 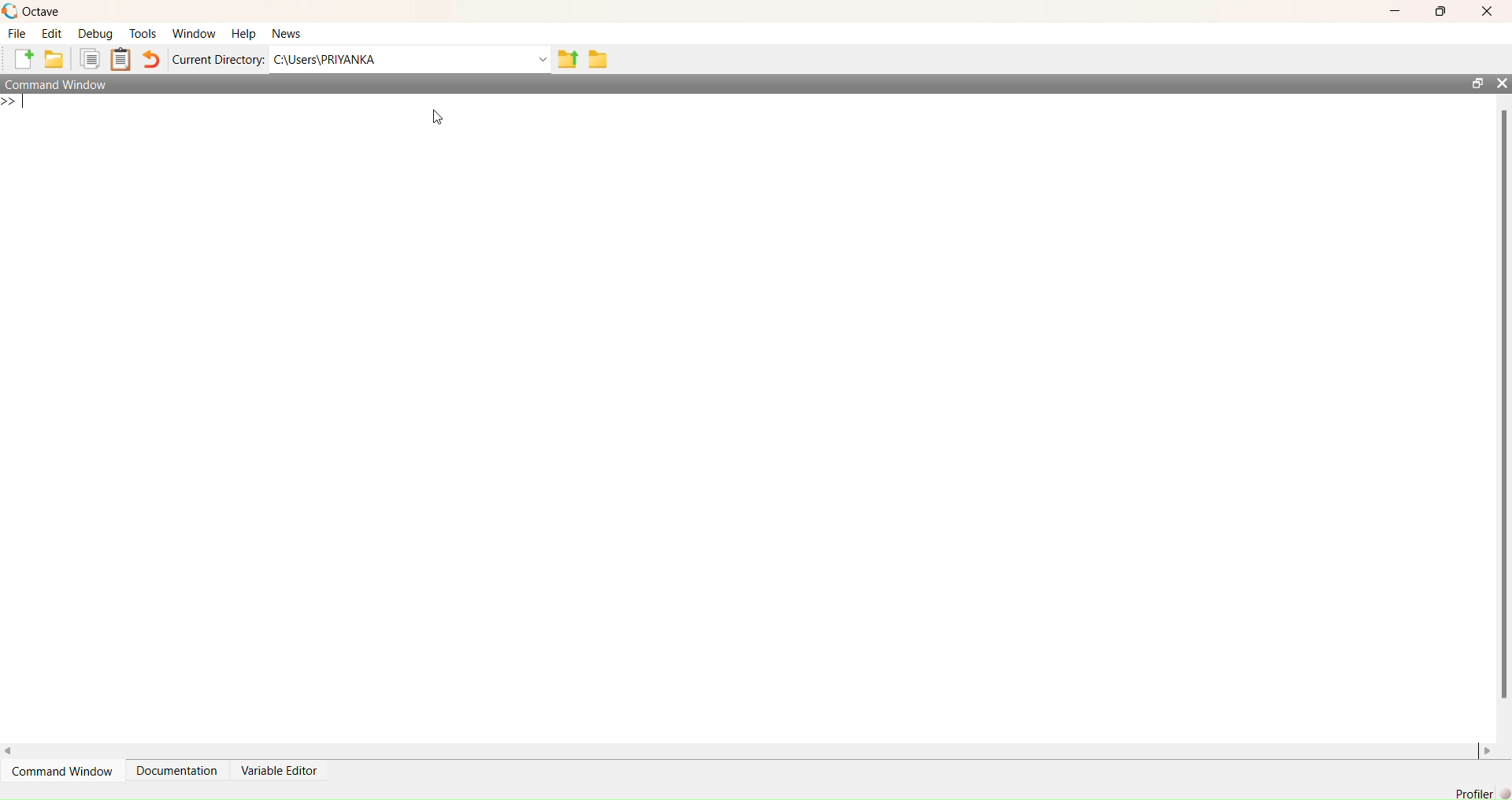 What do you see at coordinates (244, 35) in the screenshot?
I see `help` at bounding box center [244, 35].